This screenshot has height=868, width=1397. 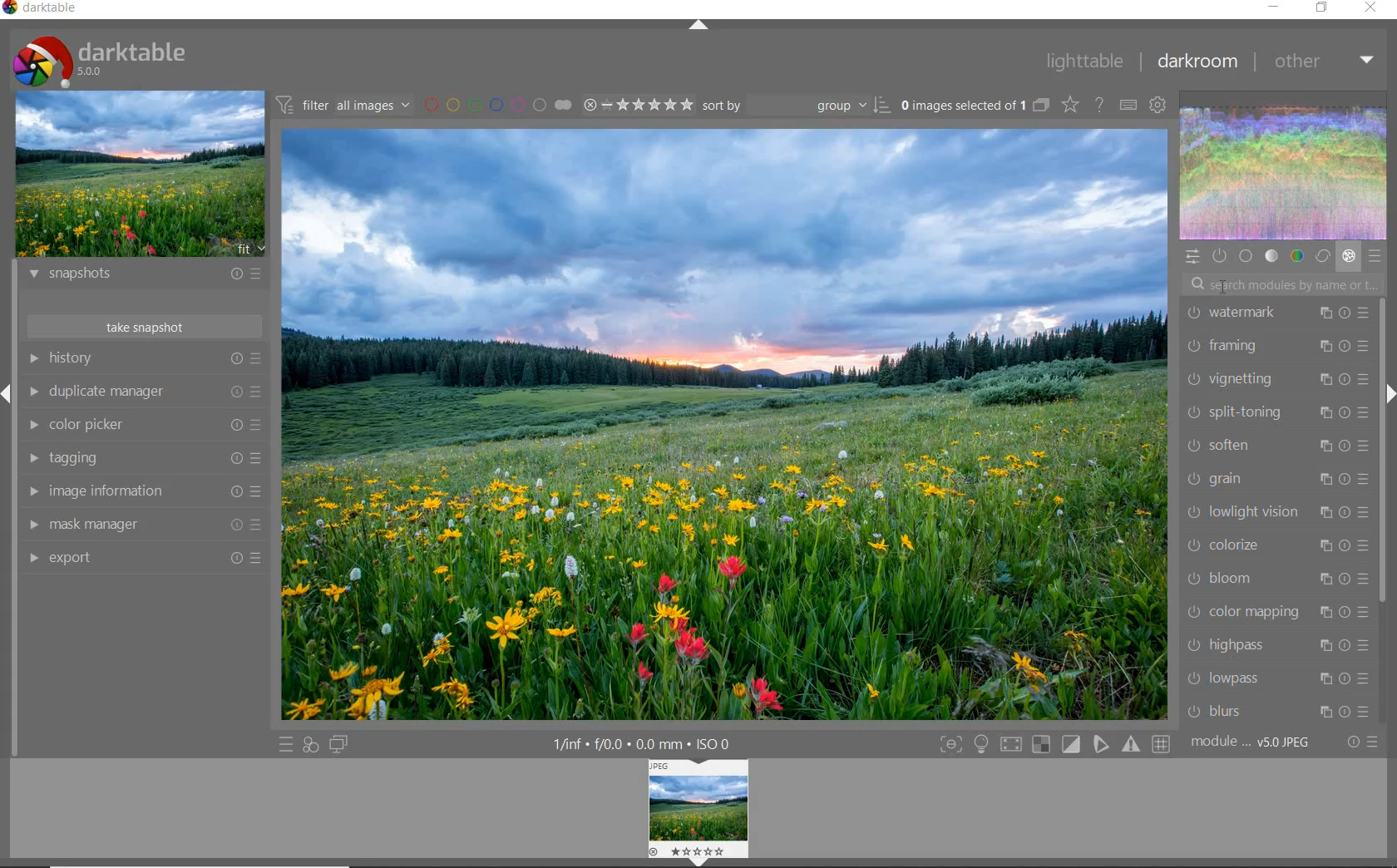 What do you see at coordinates (146, 277) in the screenshot?
I see `snapshots` at bounding box center [146, 277].